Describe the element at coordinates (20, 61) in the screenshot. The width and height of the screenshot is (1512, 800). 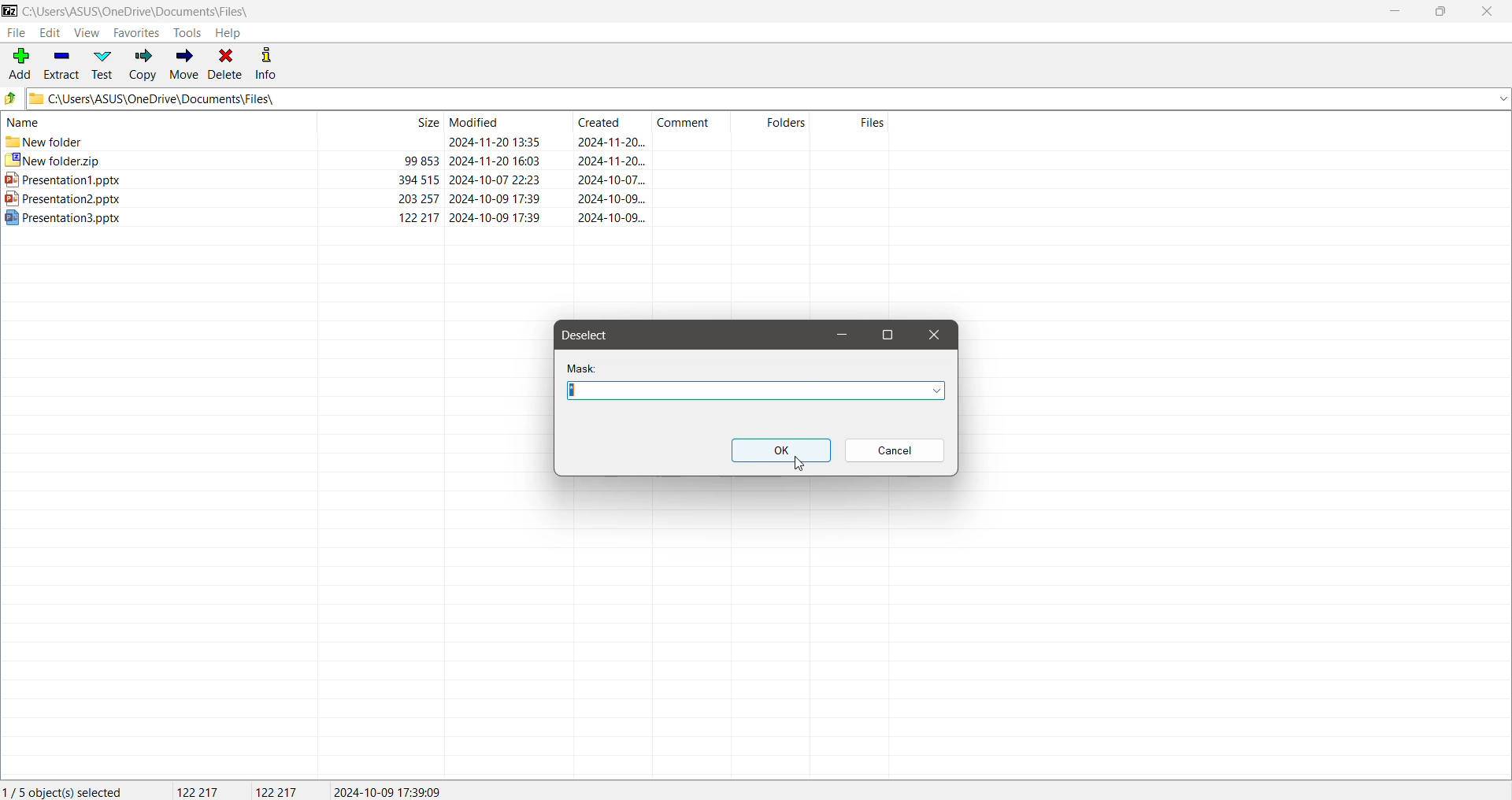
I see `Add` at that location.